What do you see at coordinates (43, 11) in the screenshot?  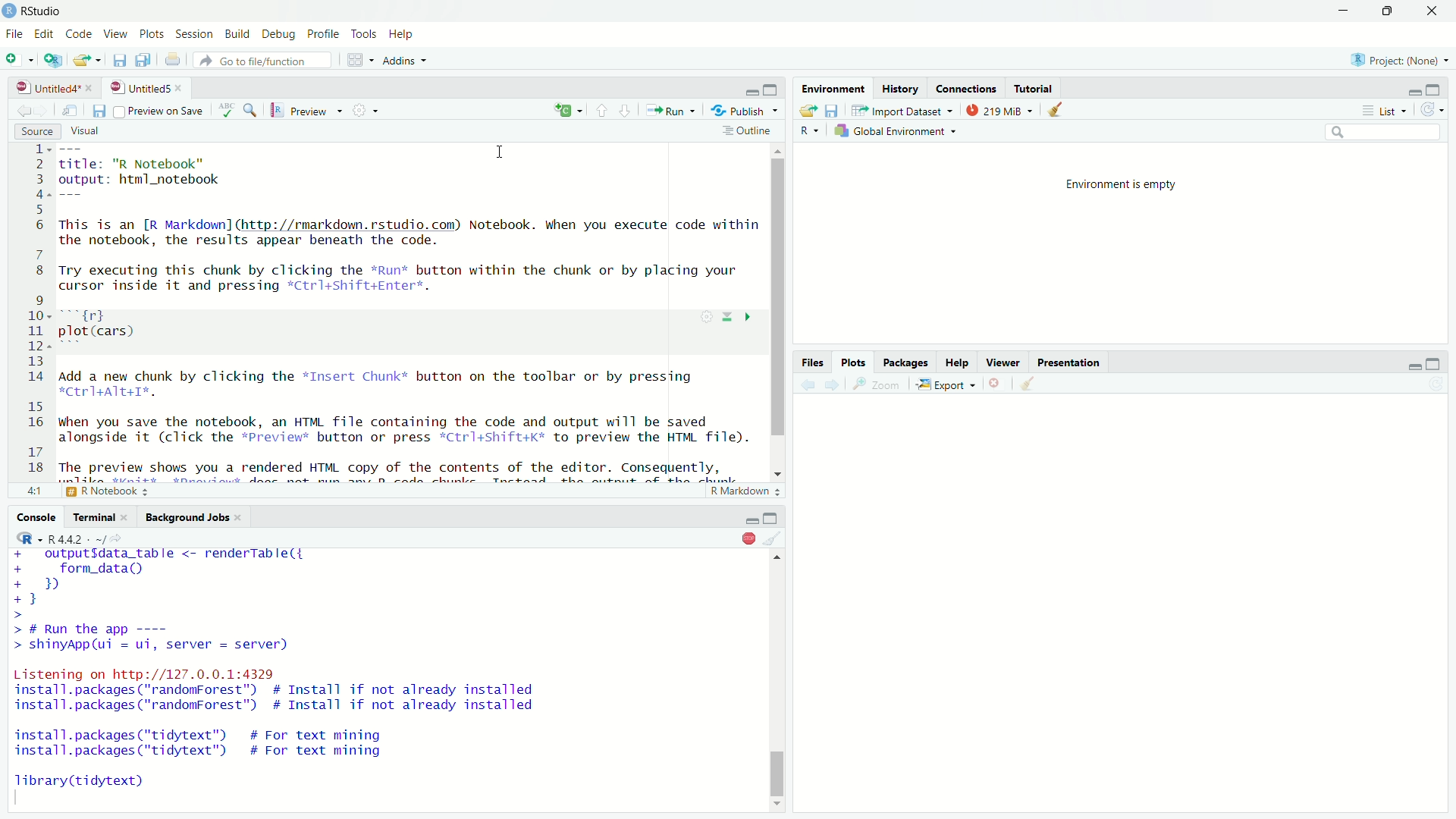 I see `RStudio` at bounding box center [43, 11].